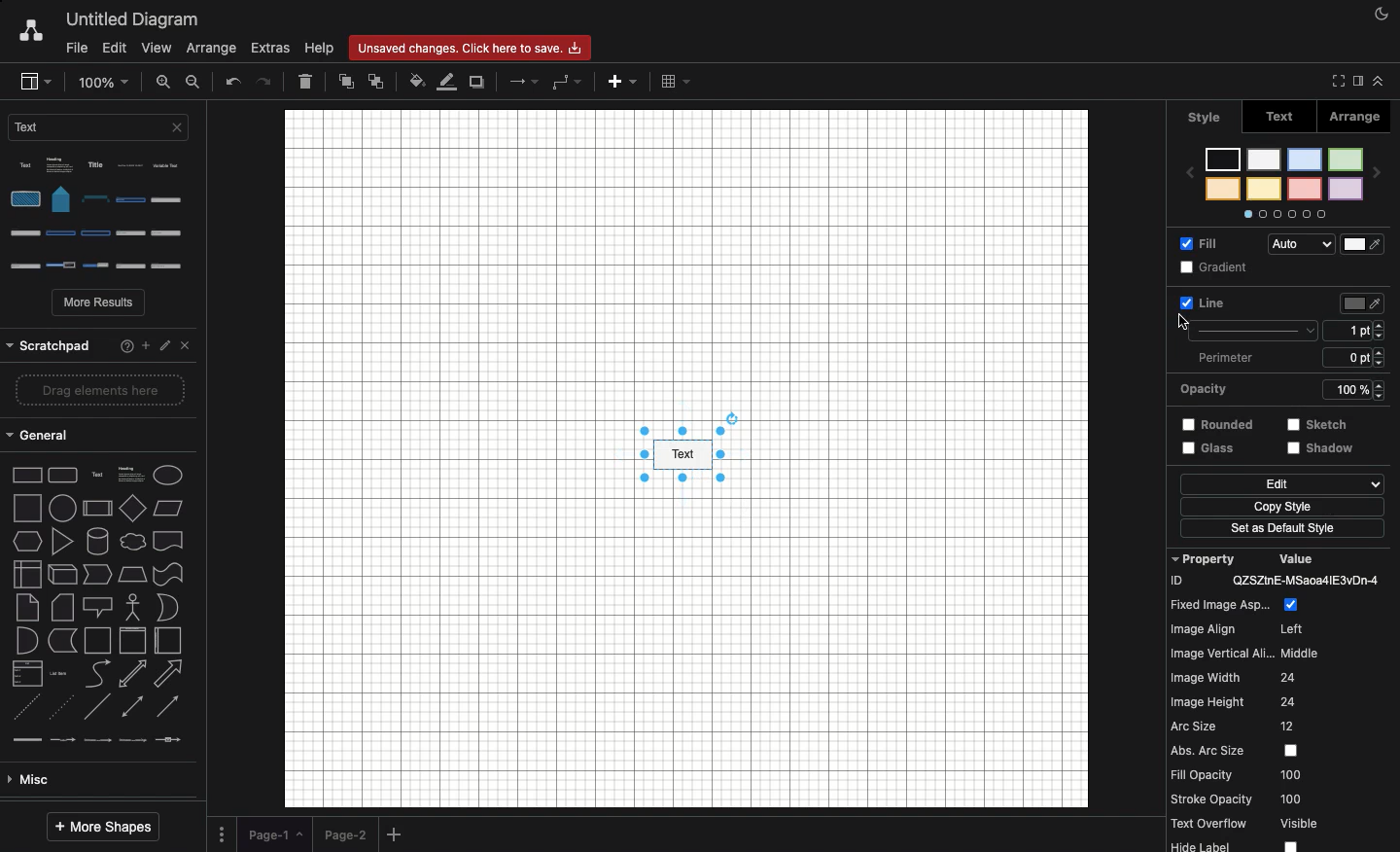  What do you see at coordinates (567, 83) in the screenshot?
I see `Waypoints` at bounding box center [567, 83].